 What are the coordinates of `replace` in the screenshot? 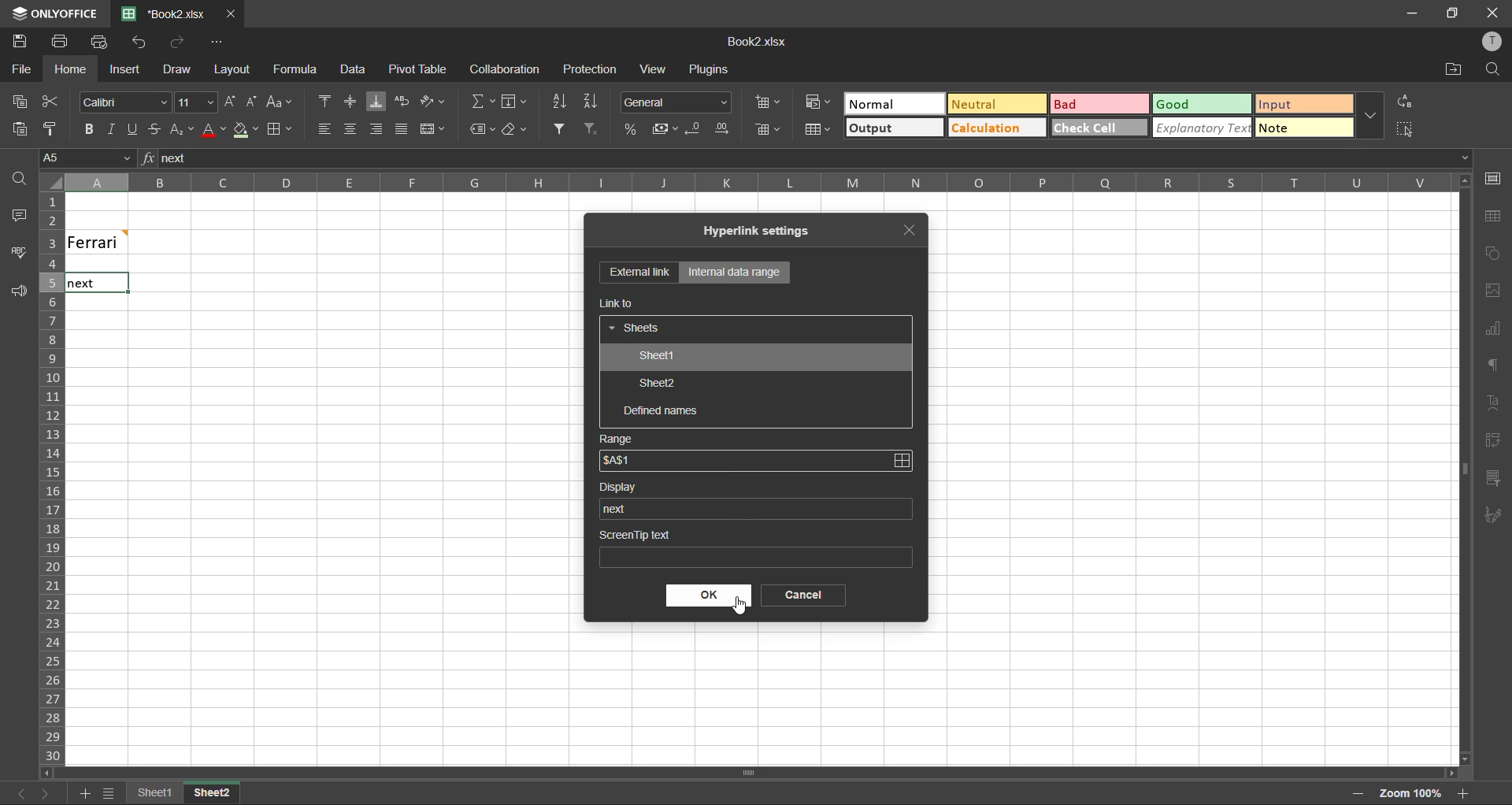 It's located at (1406, 100).